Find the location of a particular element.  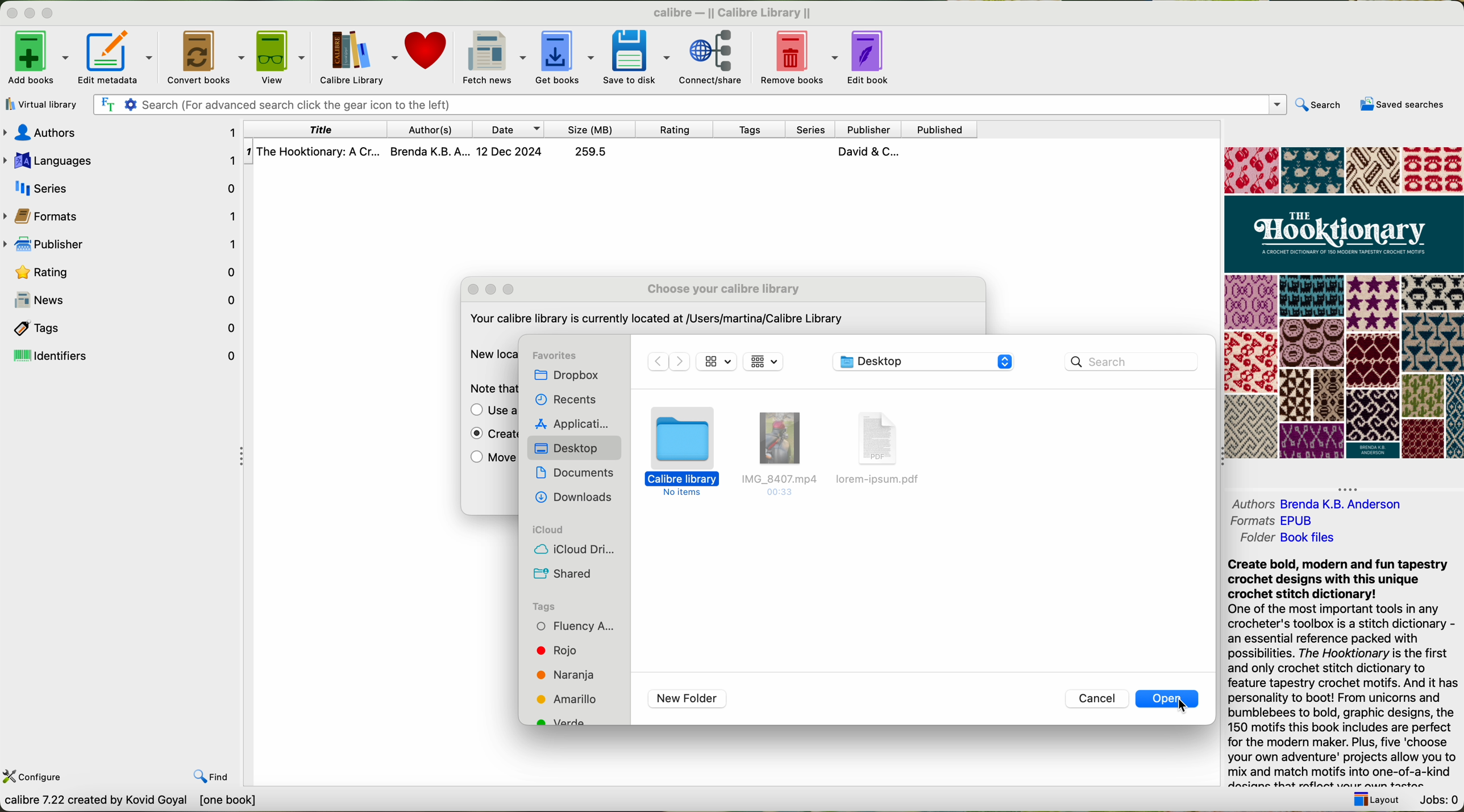

title is located at coordinates (315, 129).